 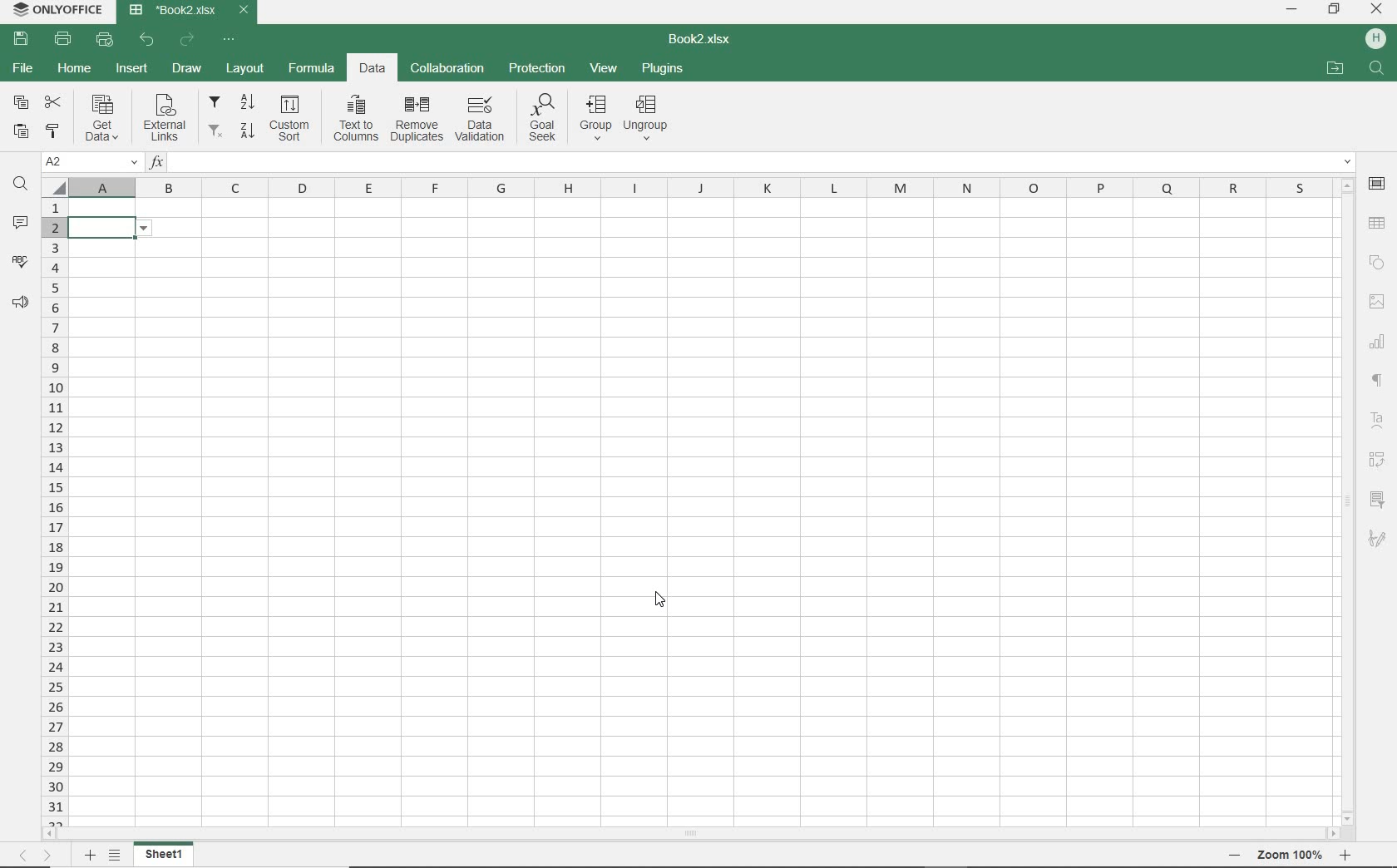 What do you see at coordinates (1378, 422) in the screenshot?
I see `TEXT ART` at bounding box center [1378, 422].